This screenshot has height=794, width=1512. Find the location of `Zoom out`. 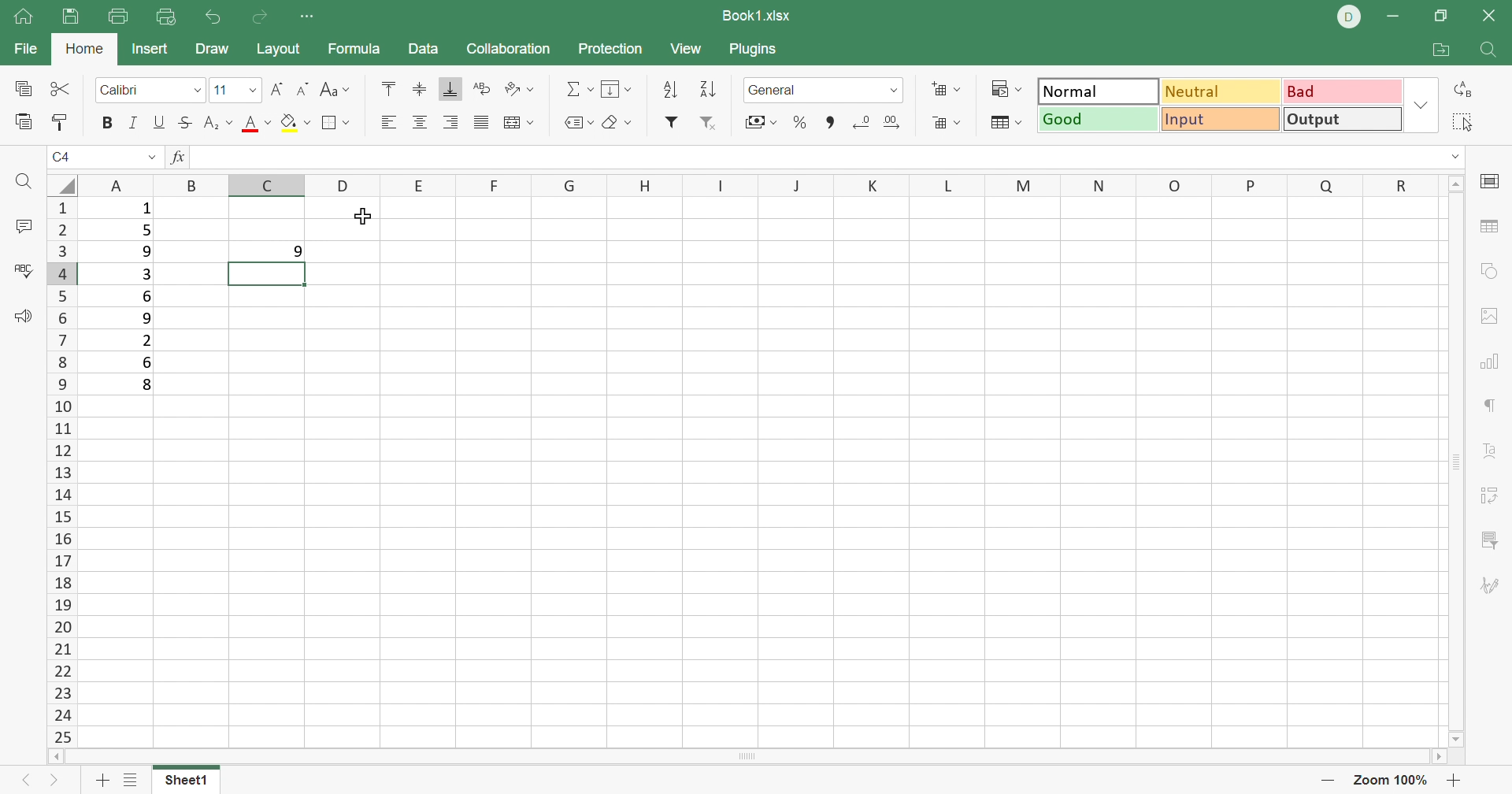

Zoom out is located at coordinates (1326, 783).